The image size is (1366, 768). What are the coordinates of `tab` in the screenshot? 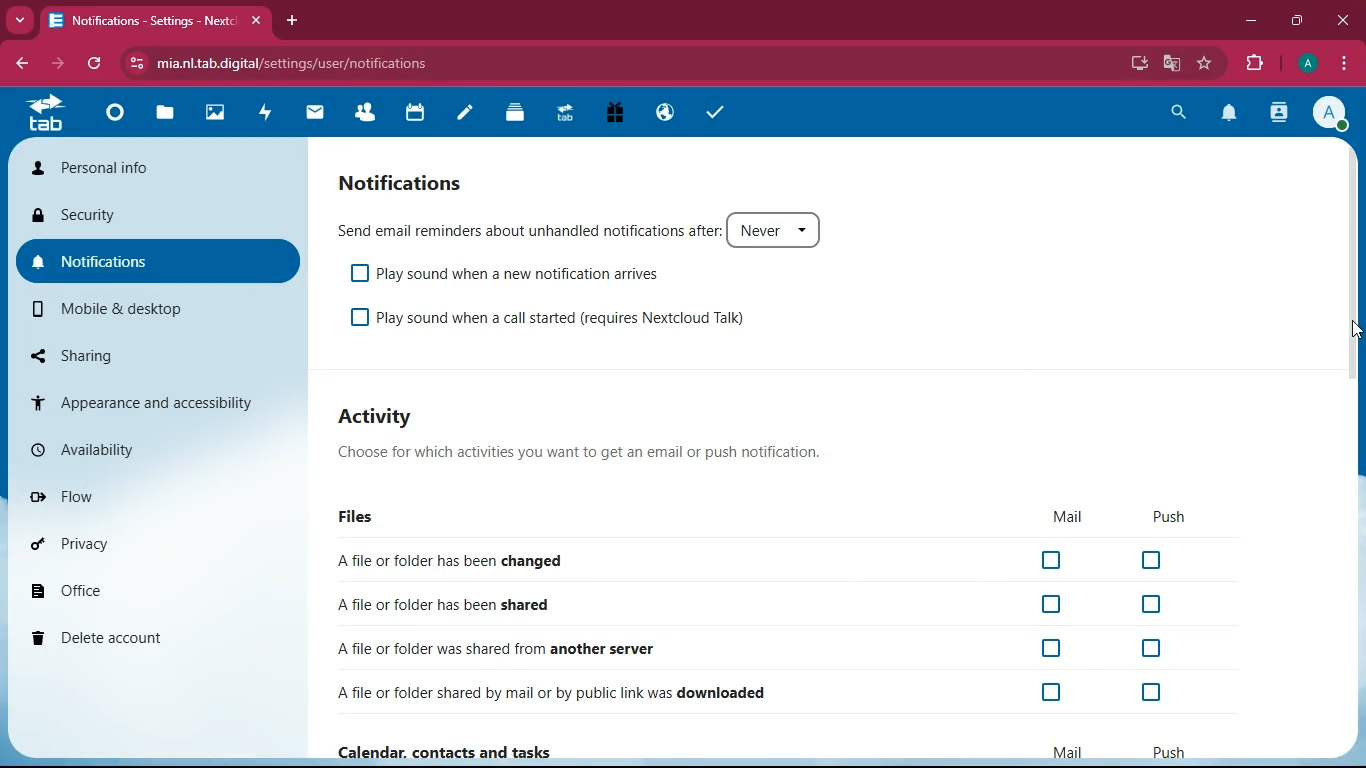 It's located at (52, 114).